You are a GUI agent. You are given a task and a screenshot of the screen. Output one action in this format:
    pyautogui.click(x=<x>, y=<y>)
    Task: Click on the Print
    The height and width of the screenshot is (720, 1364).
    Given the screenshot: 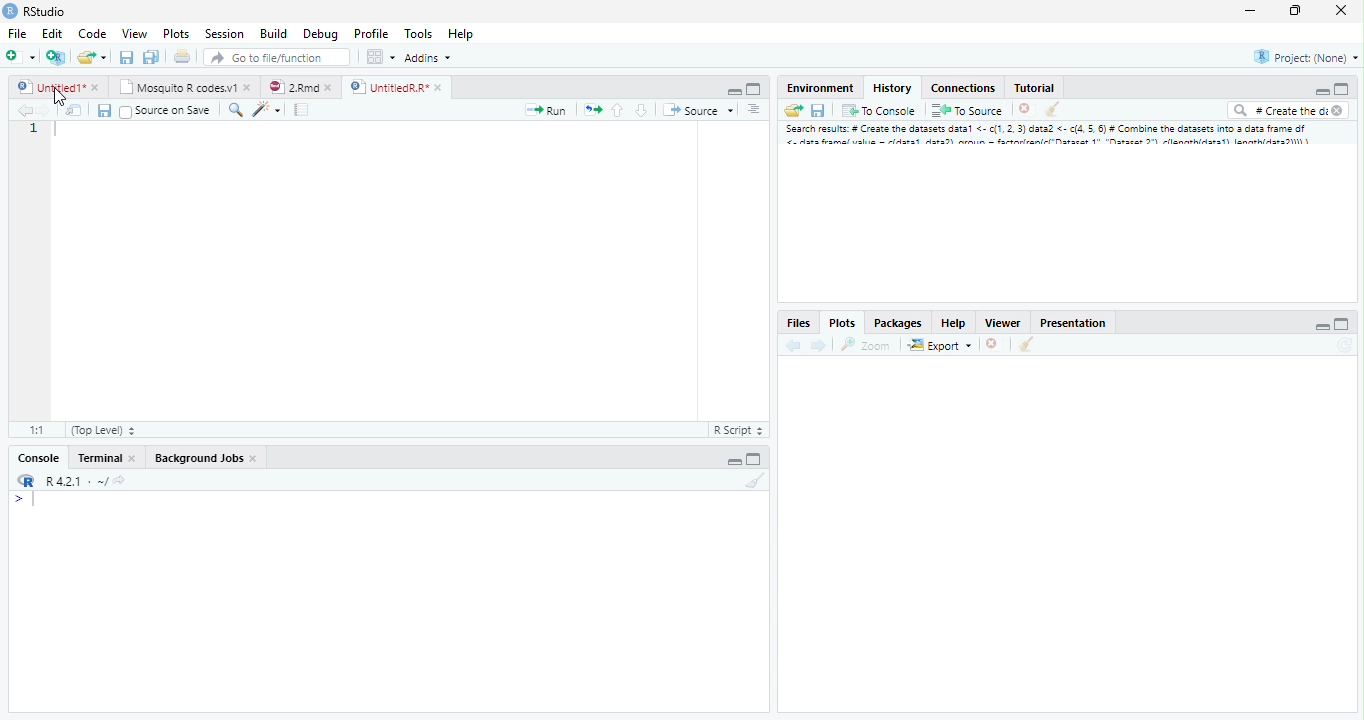 What is the action you would take?
    pyautogui.click(x=185, y=57)
    